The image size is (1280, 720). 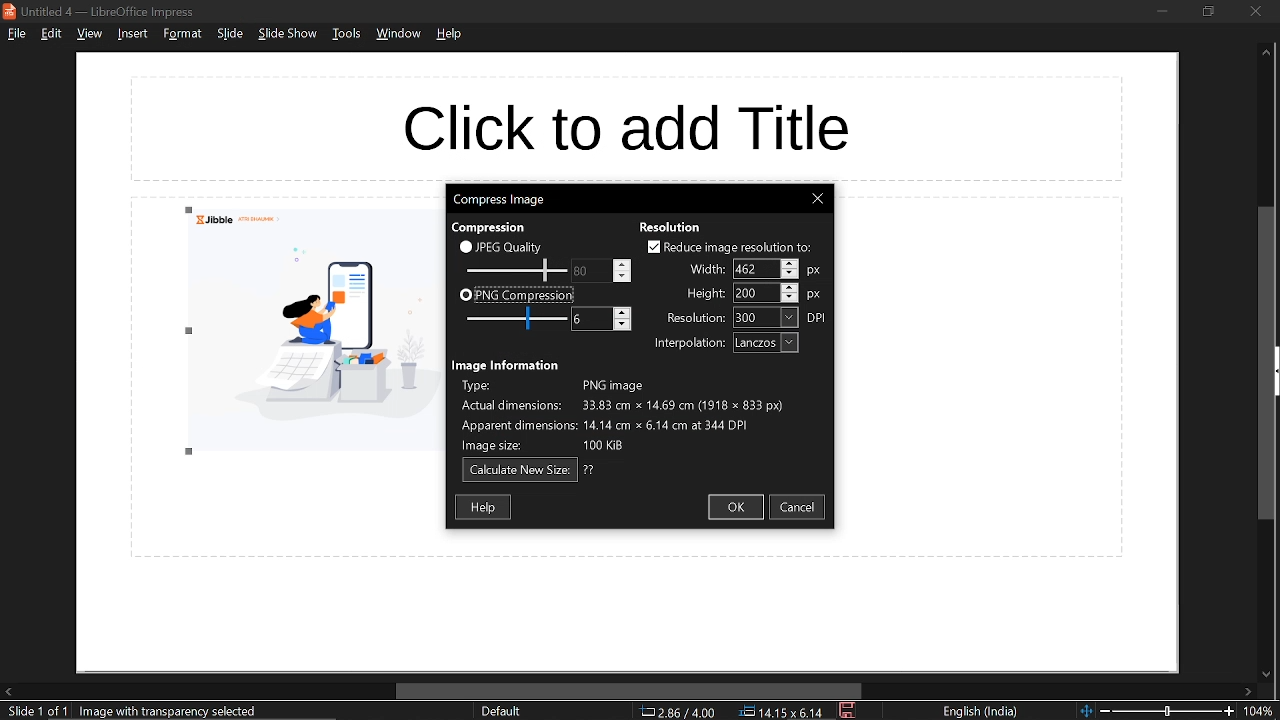 I want to click on interpolation, so click(x=766, y=343).